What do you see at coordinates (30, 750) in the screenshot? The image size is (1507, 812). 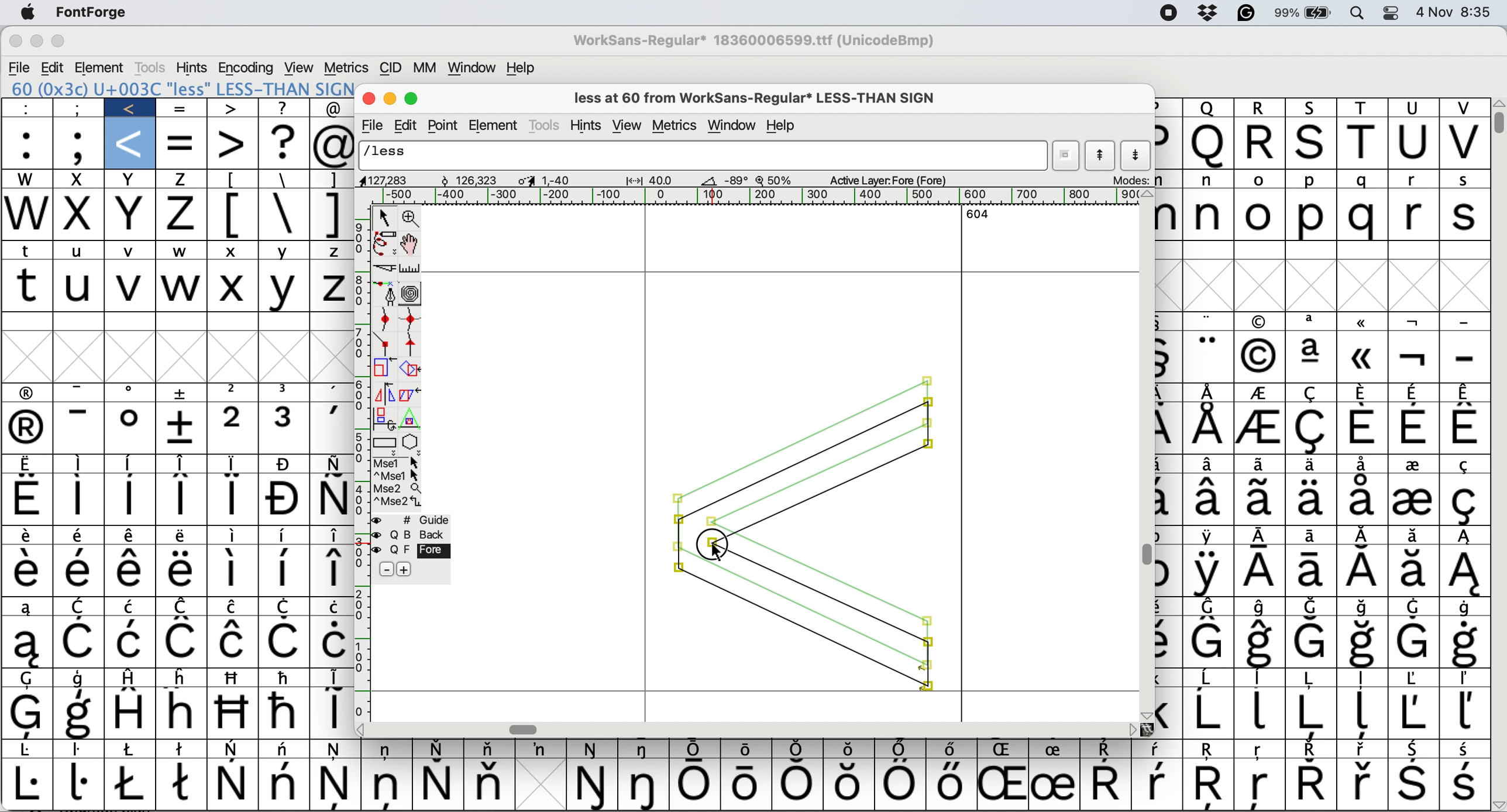 I see `Symbol` at bounding box center [30, 750].